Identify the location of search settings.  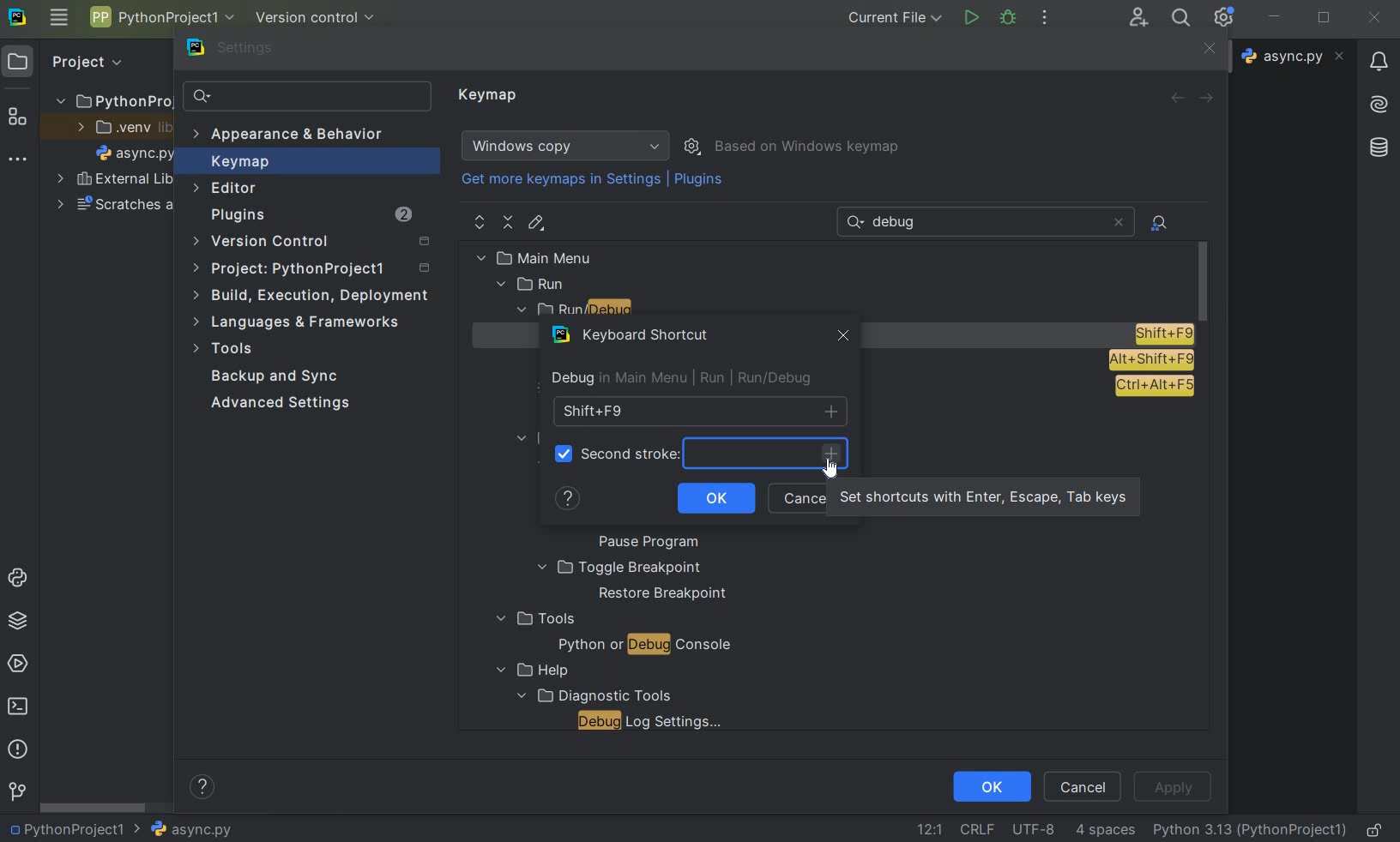
(308, 97).